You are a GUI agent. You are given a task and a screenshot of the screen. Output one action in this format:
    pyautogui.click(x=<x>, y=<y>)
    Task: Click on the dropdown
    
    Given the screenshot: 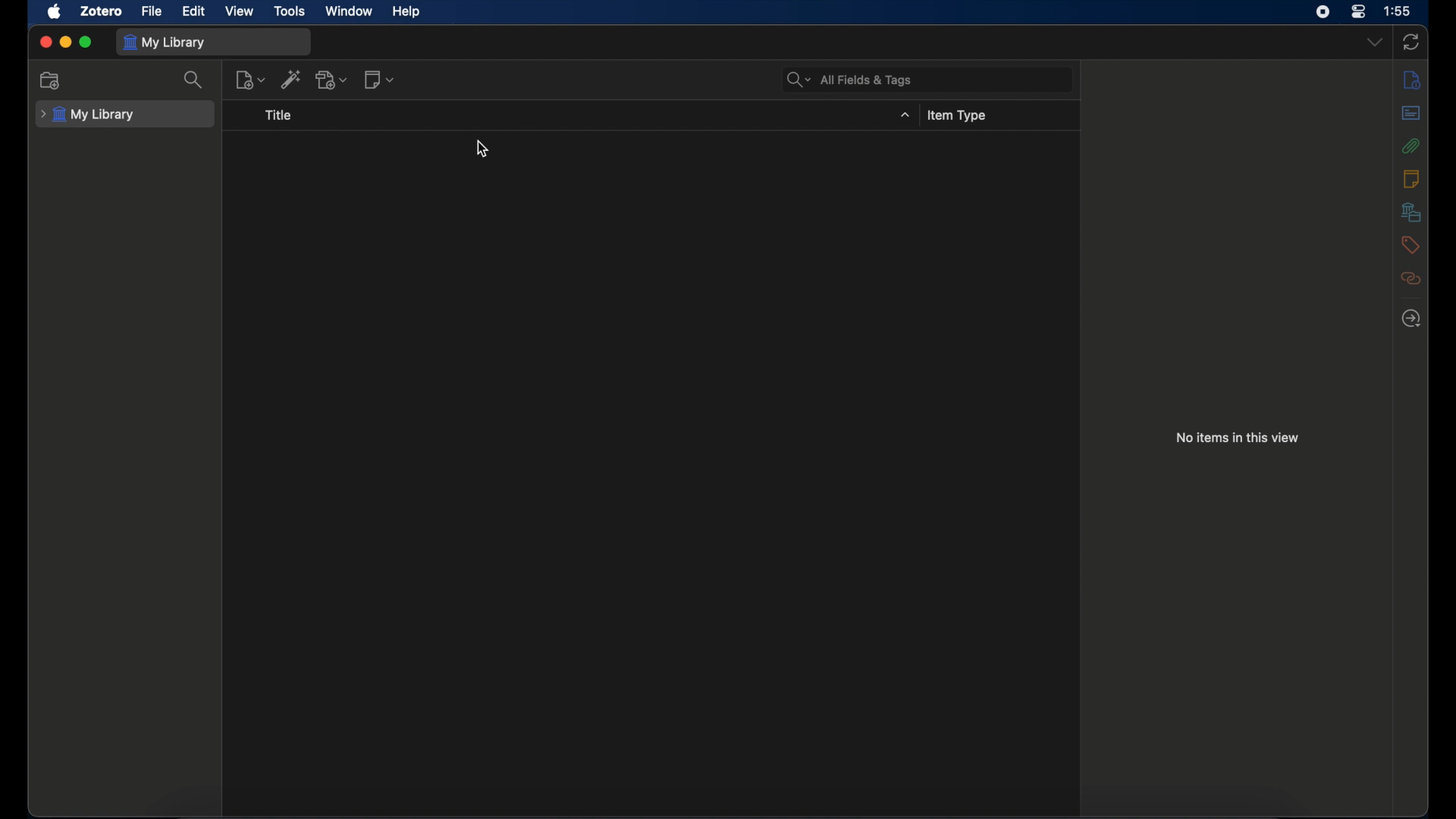 What is the action you would take?
    pyautogui.click(x=1375, y=43)
    